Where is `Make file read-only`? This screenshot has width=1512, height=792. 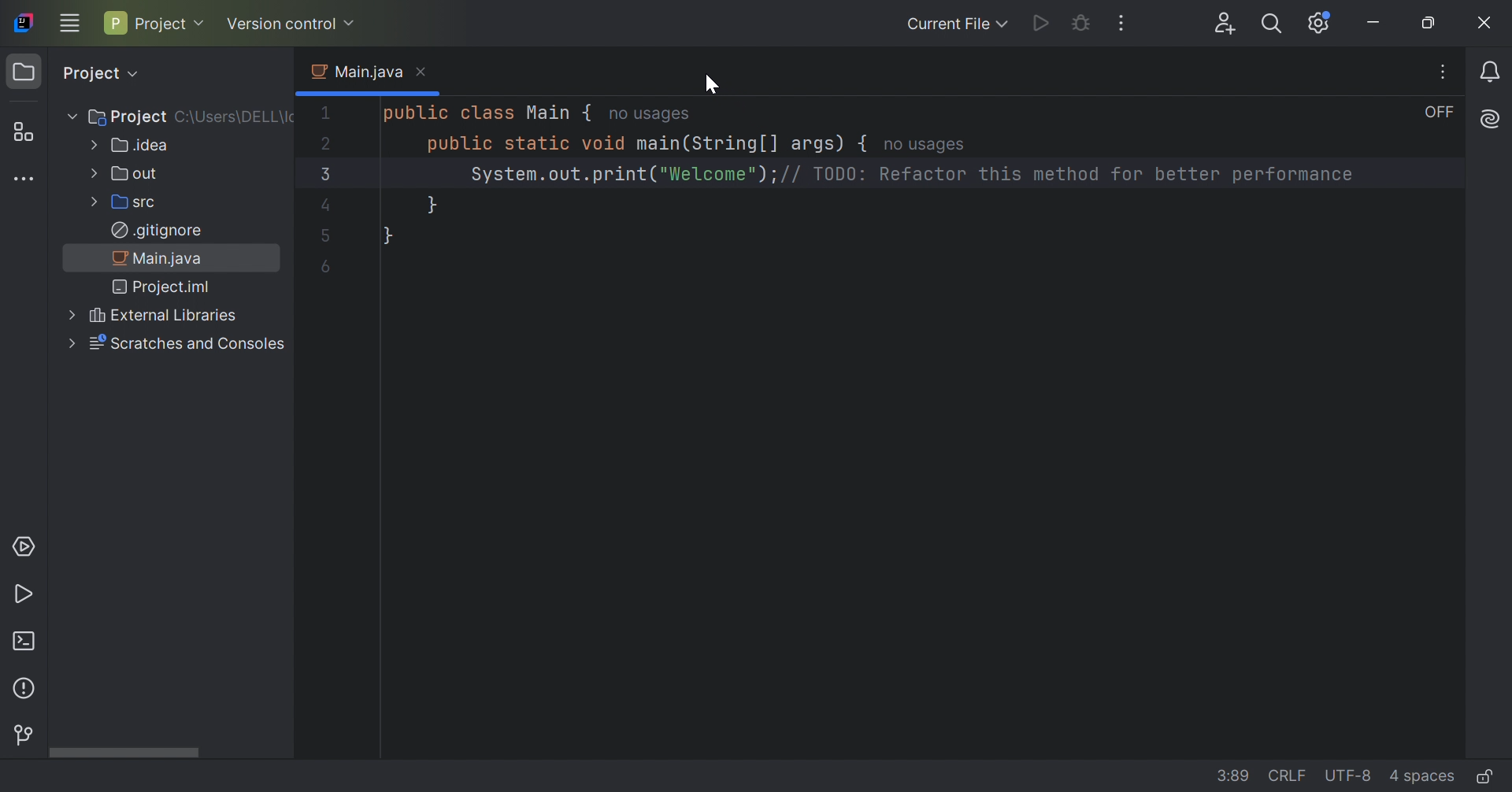
Make file read-only is located at coordinates (1484, 778).